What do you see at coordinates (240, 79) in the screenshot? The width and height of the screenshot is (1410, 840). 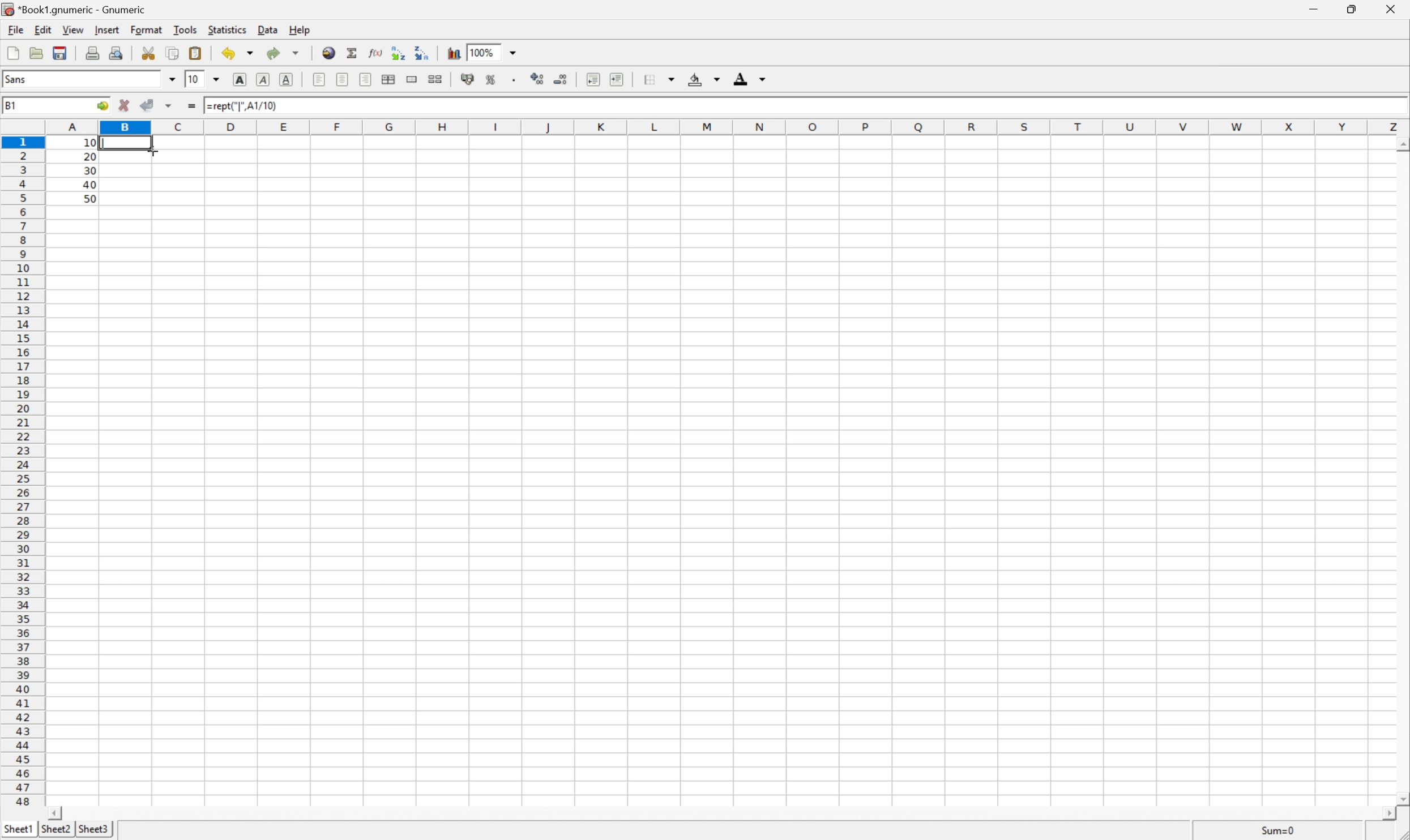 I see `Bold` at bounding box center [240, 79].